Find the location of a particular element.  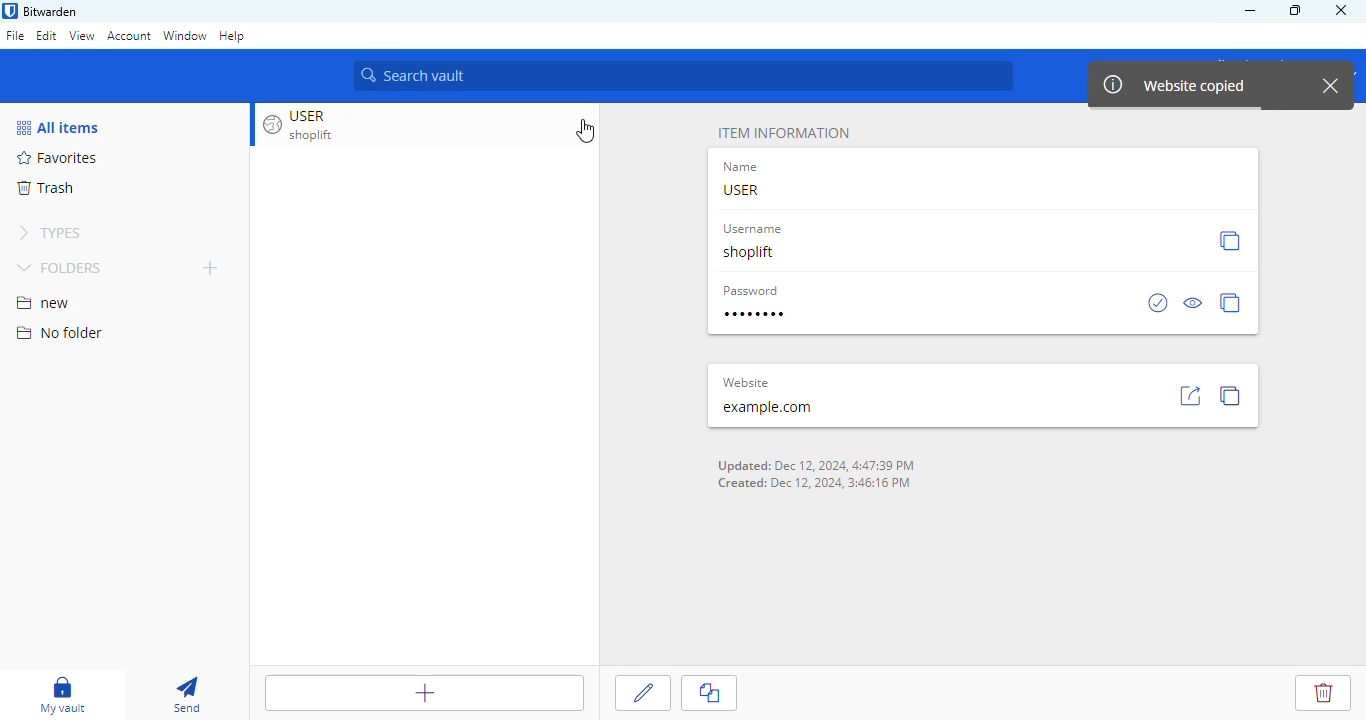

edit is located at coordinates (645, 693).